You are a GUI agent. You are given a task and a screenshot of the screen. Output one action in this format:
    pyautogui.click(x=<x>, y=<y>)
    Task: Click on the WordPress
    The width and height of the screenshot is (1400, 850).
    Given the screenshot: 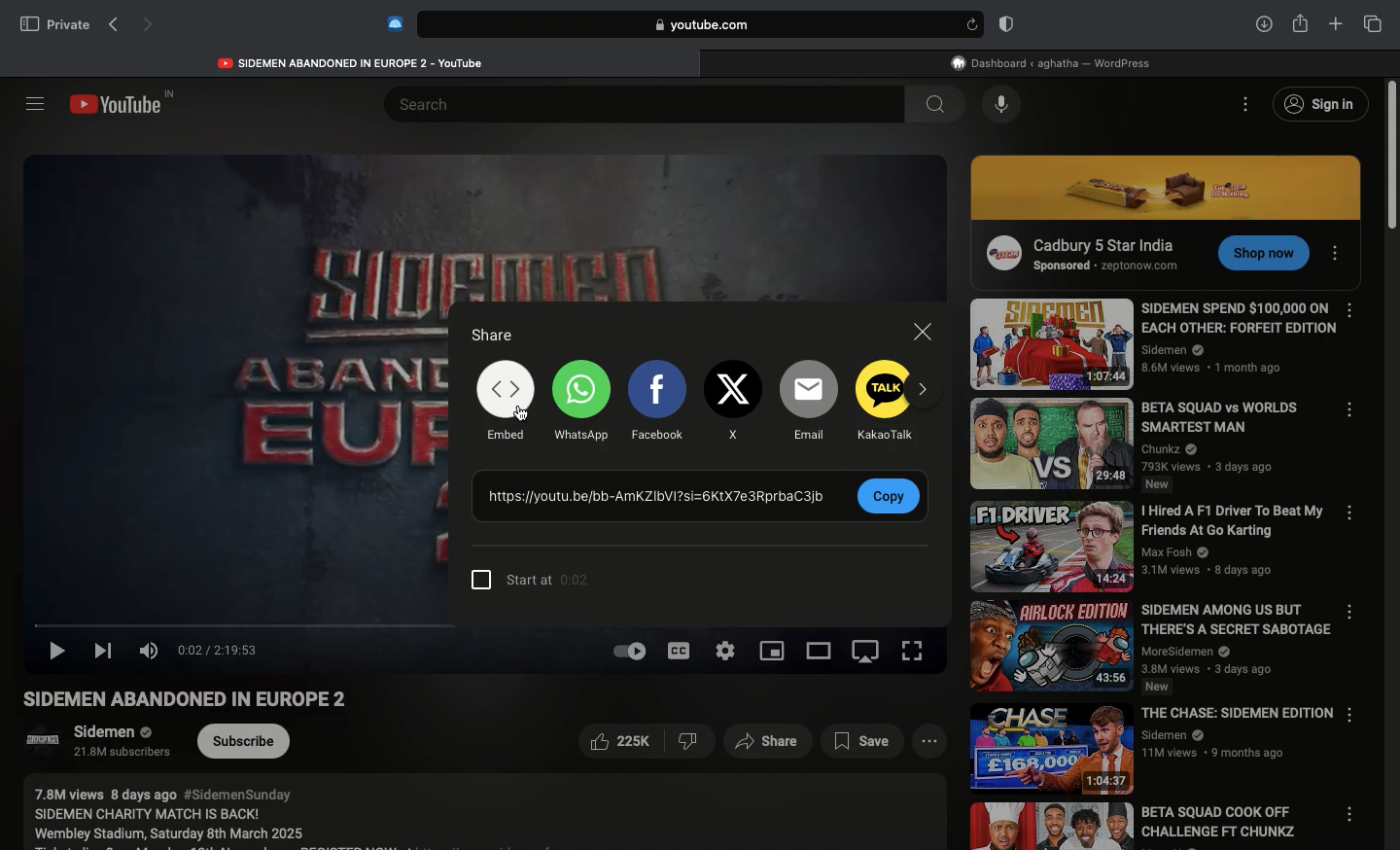 What is the action you would take?
    pyautogui.click(x=1049, y=62)
    